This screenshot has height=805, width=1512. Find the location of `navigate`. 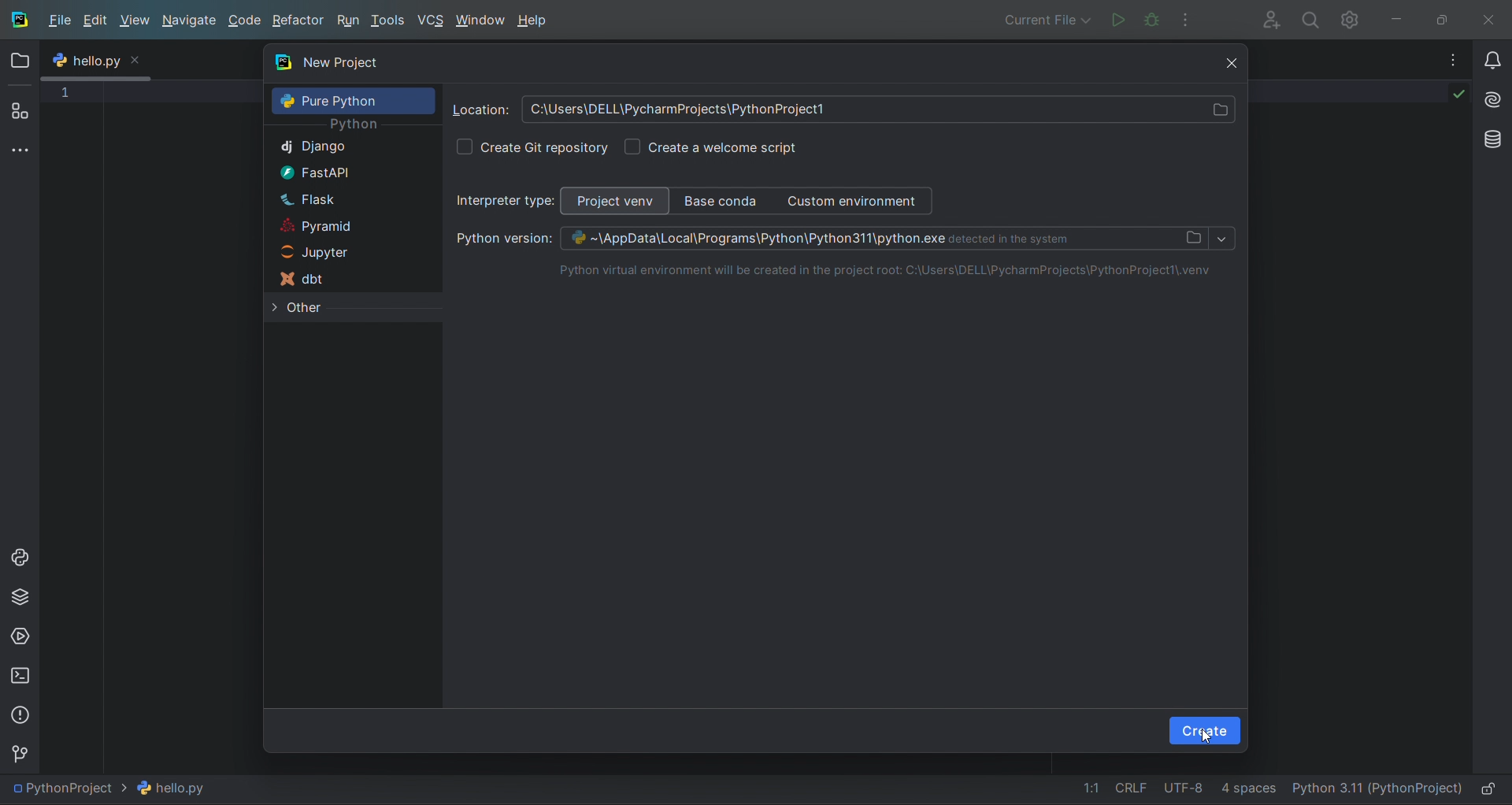

navigate is located at coordinates (188, 20).